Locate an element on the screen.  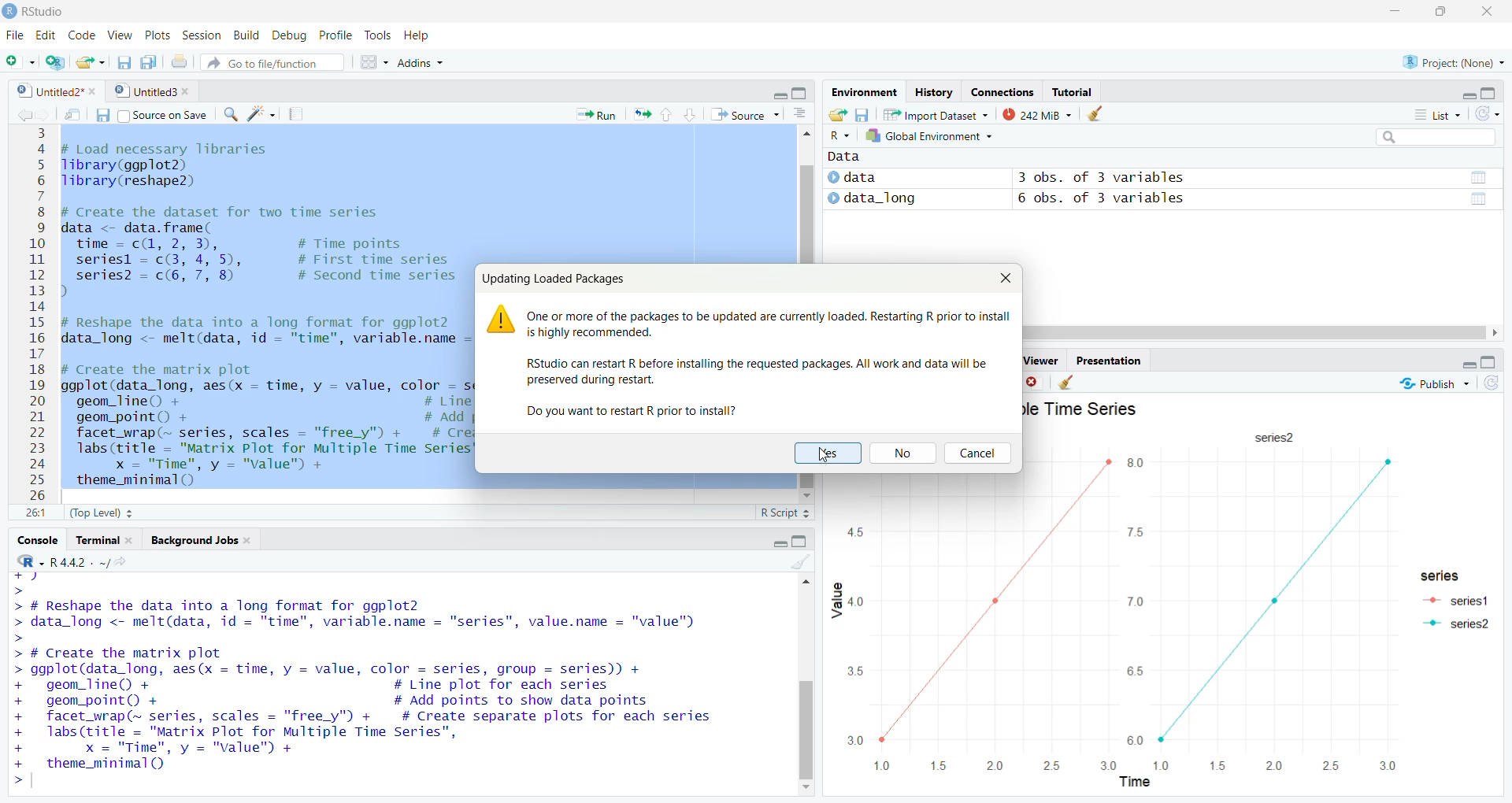
History is located at coordinates (933, 93).